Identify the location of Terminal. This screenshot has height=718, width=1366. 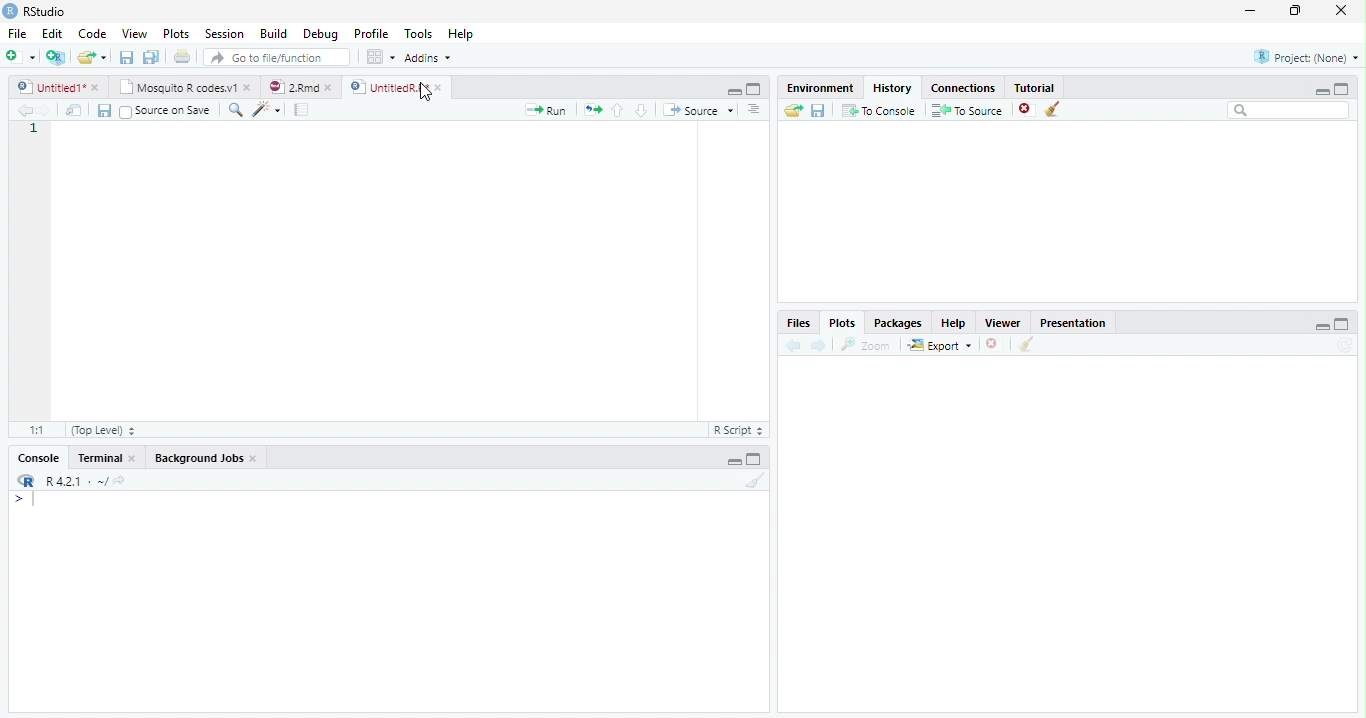
(108, 458).